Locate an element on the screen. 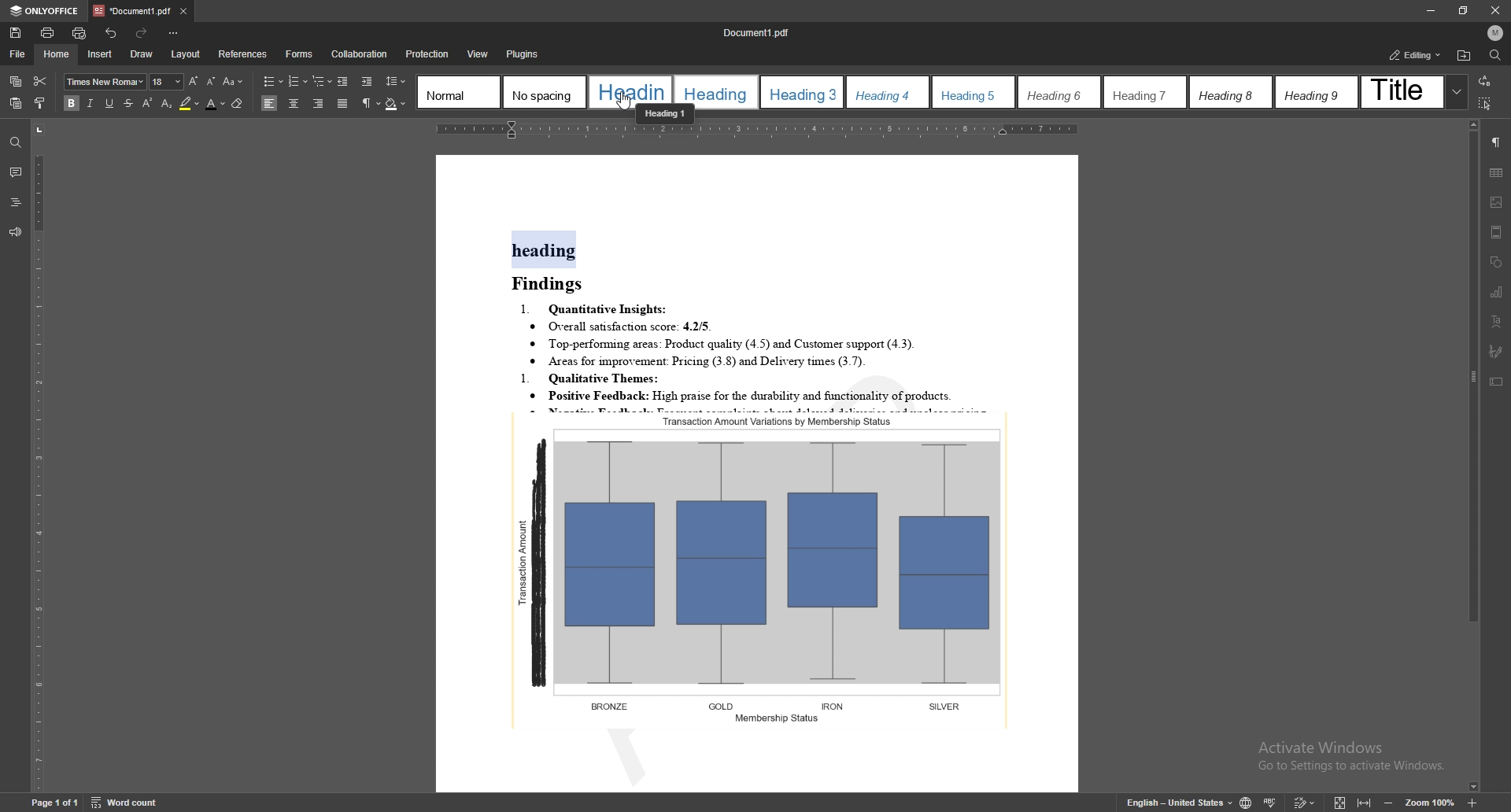  subscript is located at coordinates (167, 104).